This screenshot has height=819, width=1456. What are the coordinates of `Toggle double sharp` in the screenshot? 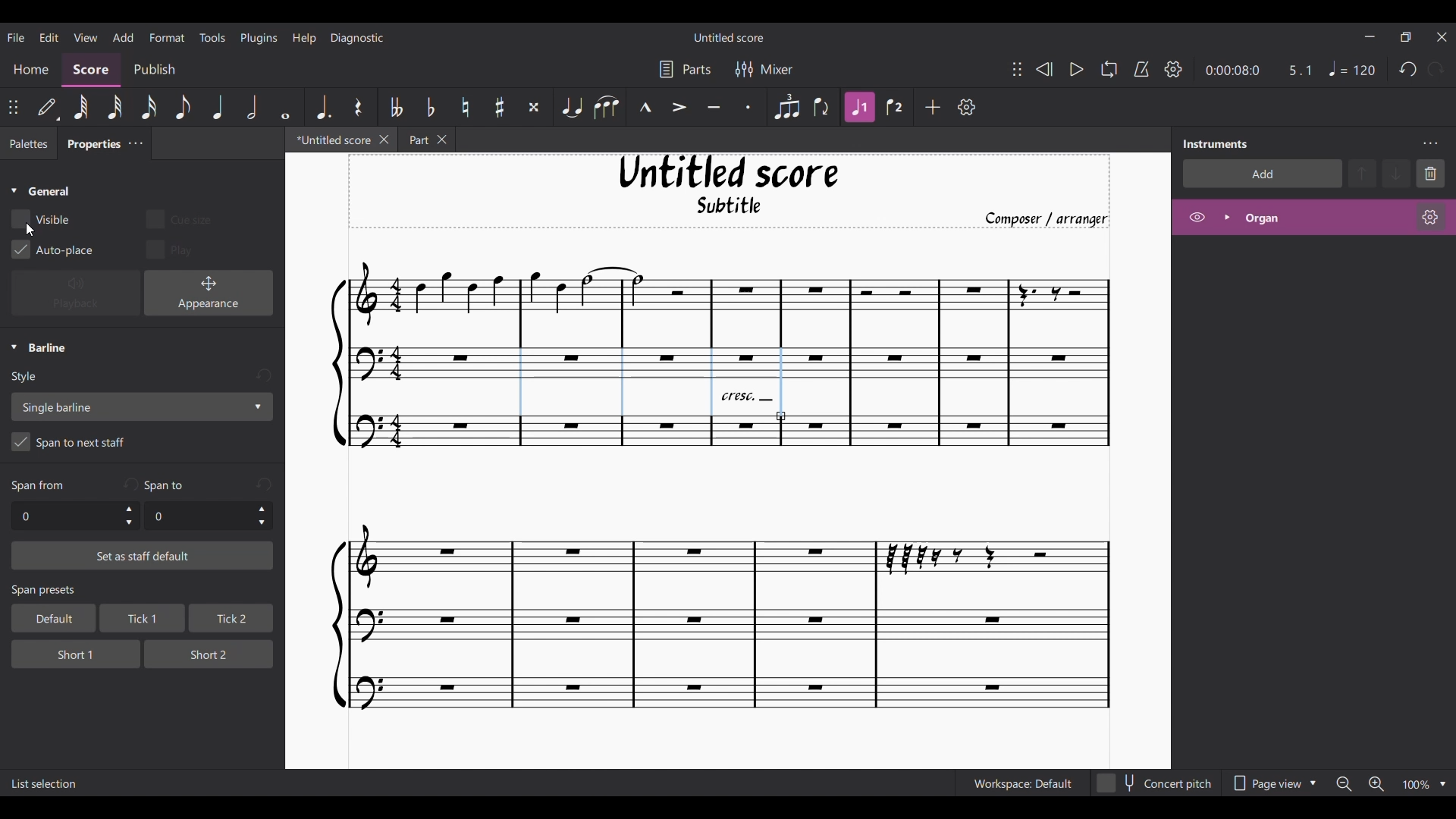 It's located at (534, 108).